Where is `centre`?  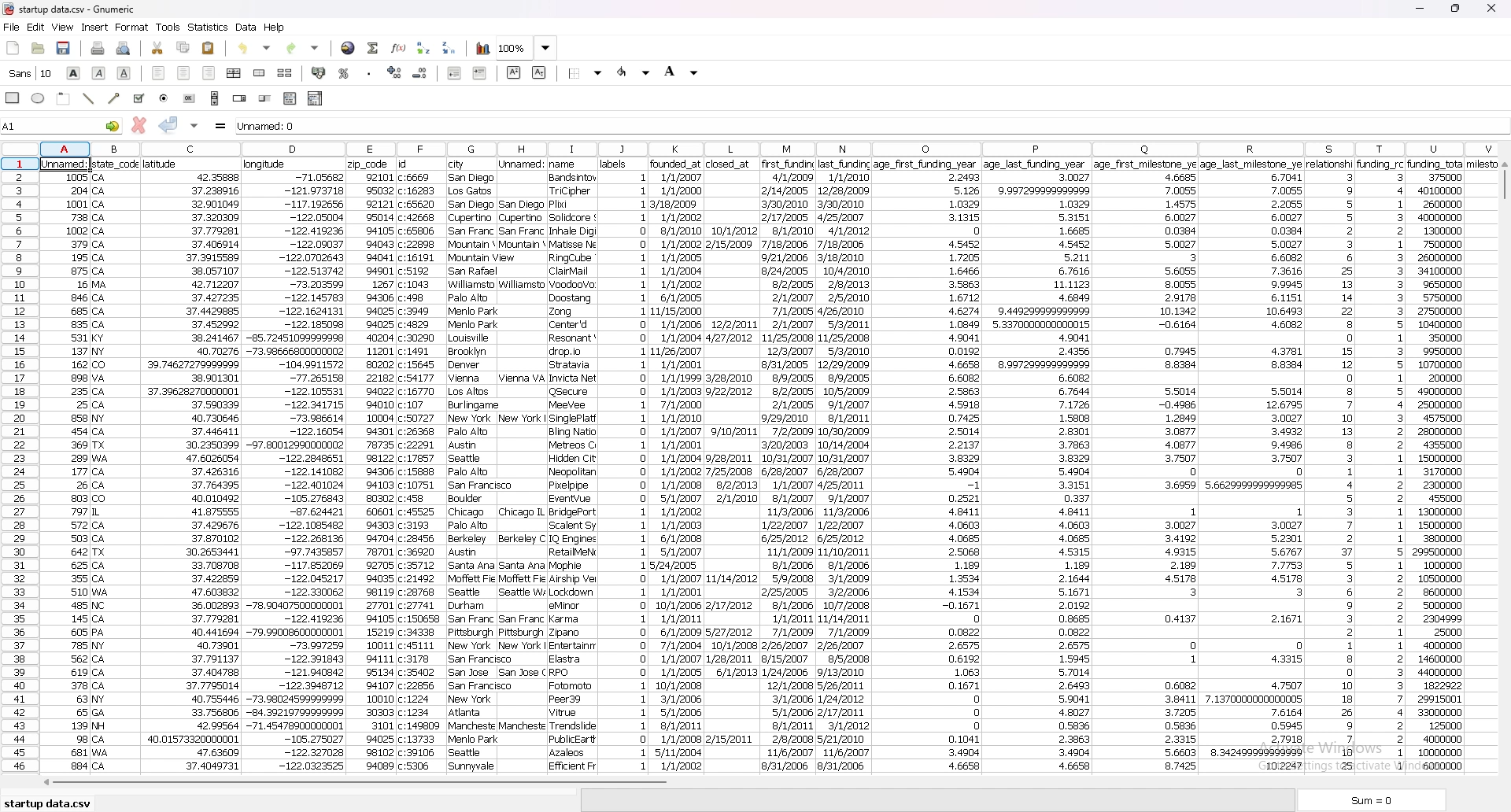 centre is located at coordinates (184, 73).